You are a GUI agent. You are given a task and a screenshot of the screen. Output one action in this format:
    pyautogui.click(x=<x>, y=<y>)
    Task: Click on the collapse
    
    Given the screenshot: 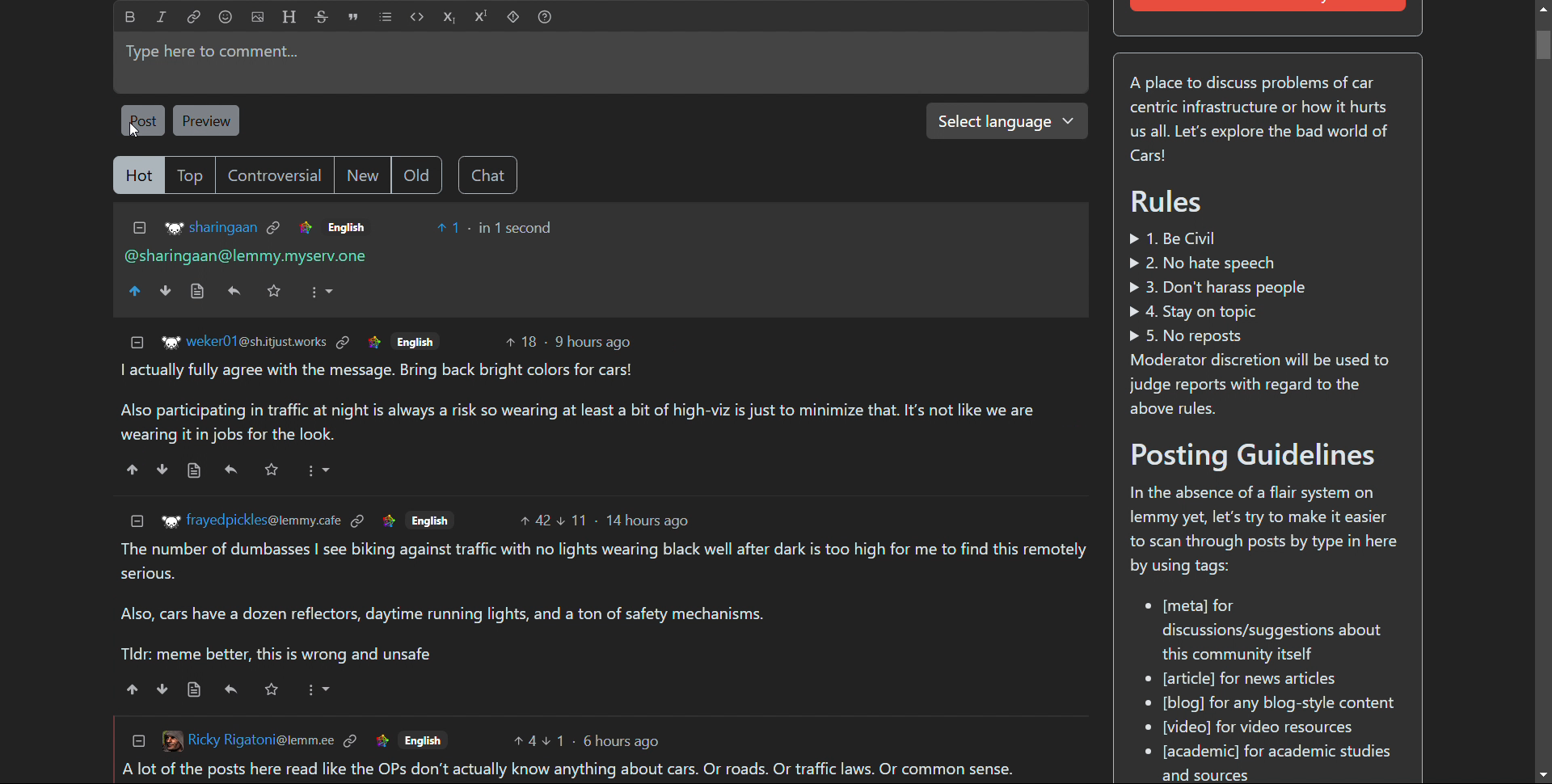 What is the action you would take?
    pyautogui.click(x=137, y=521)
    